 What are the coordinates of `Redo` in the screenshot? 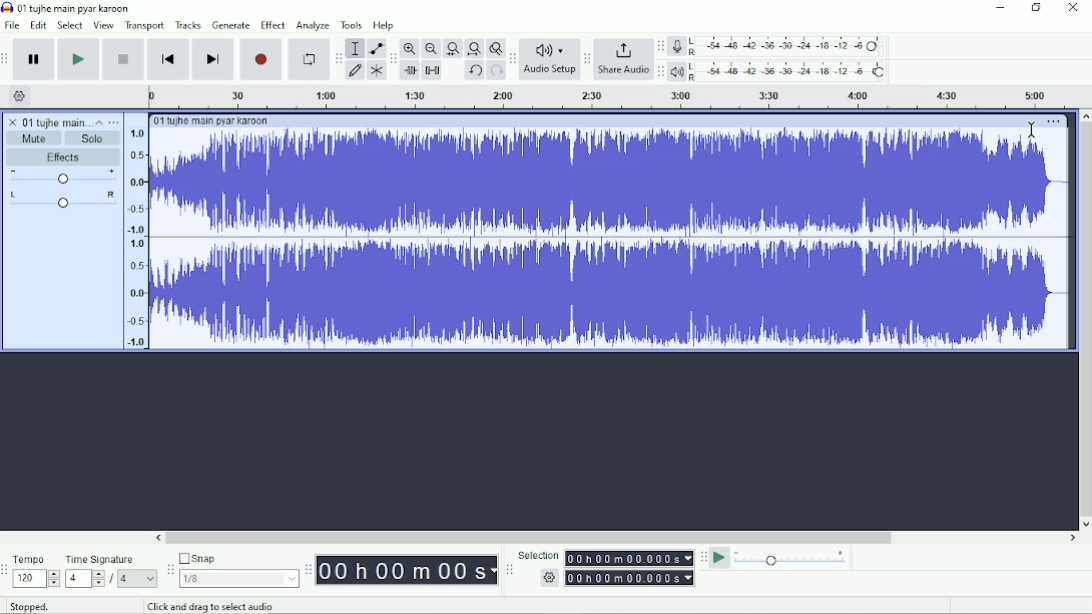 It's located at (496, 69).